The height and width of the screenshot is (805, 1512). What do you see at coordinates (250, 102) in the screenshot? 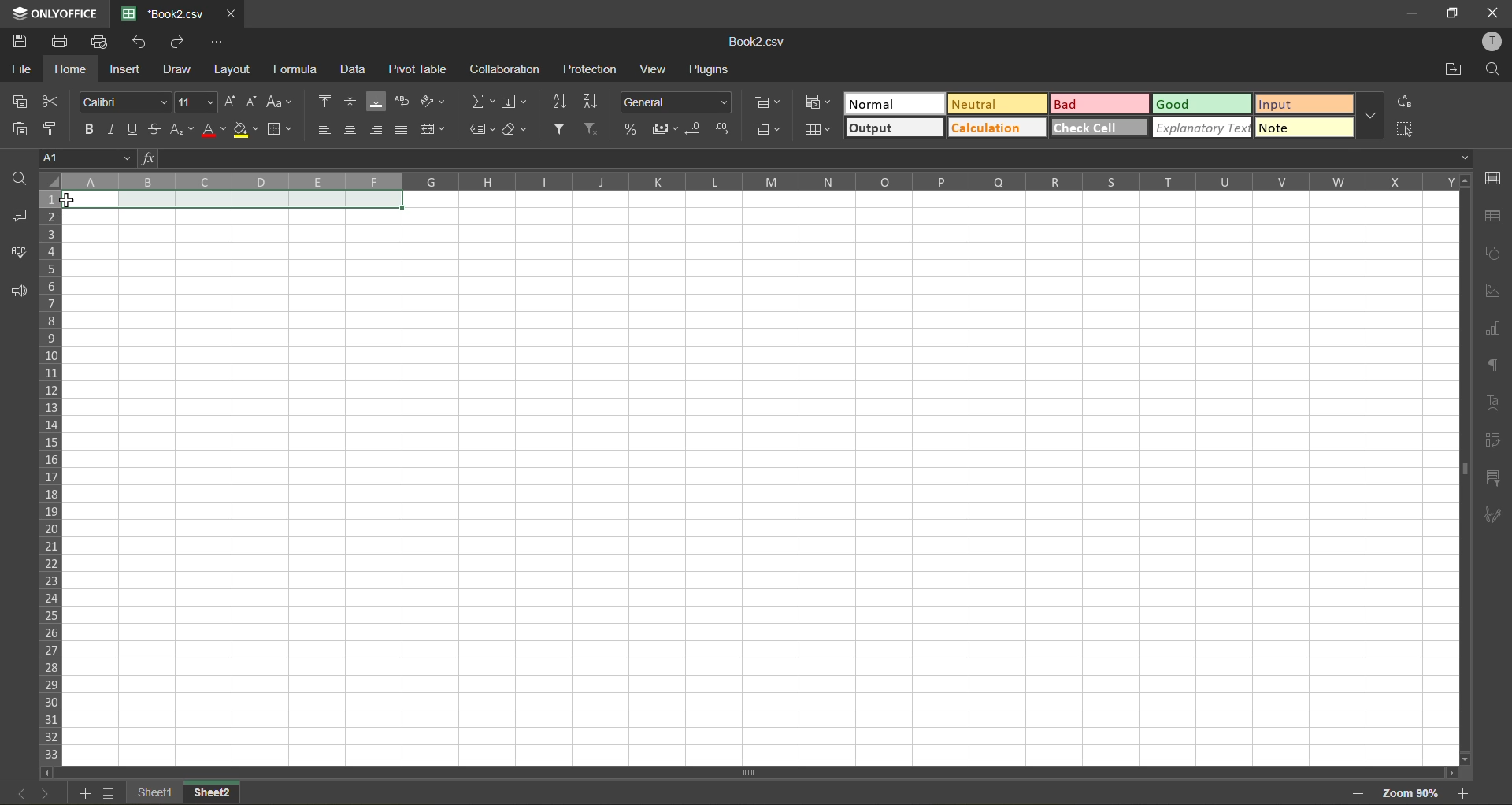
I see `decrement size` at bounding box center [250, 102].